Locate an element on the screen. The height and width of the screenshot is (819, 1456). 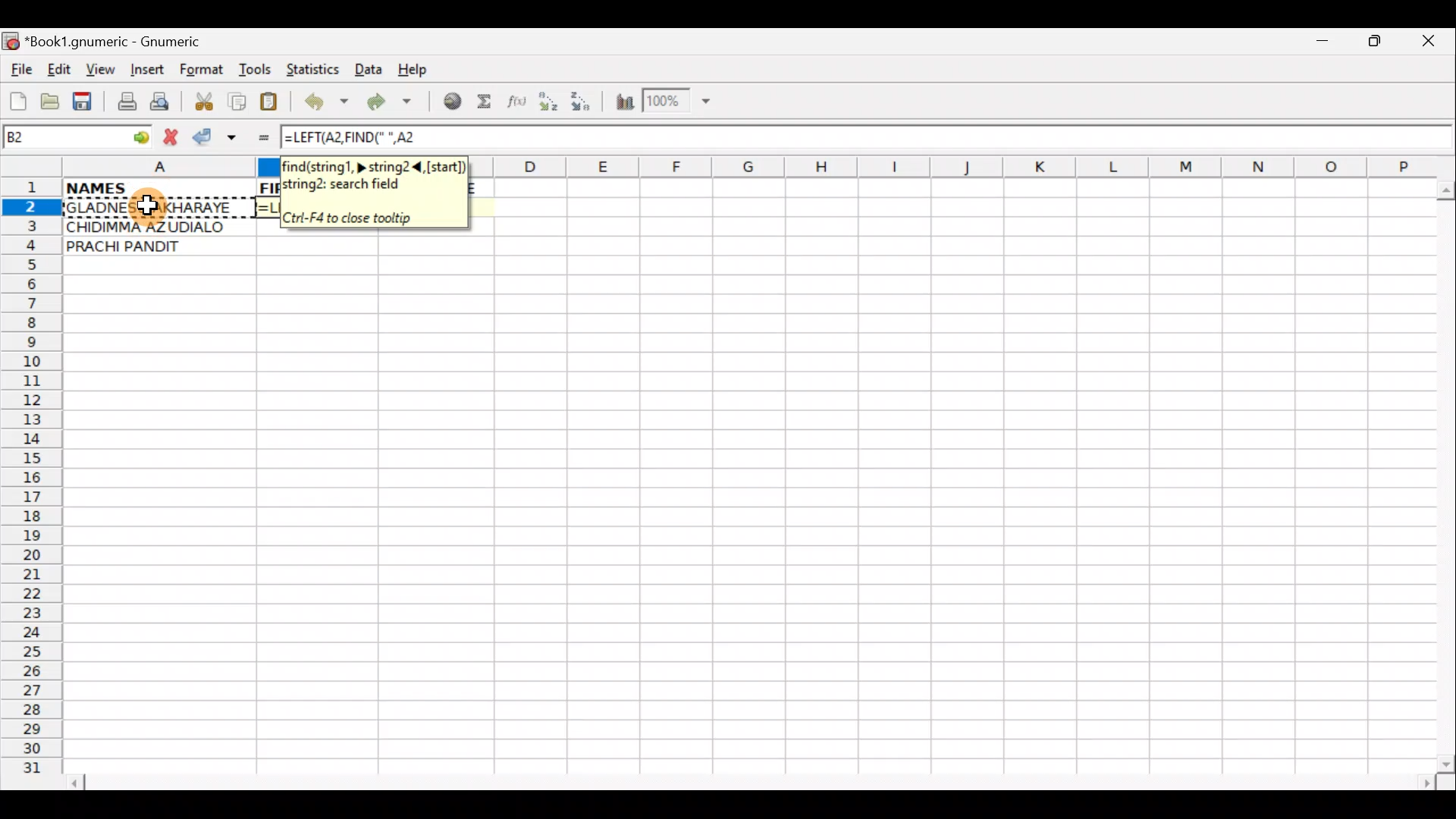
Print preview is located at coordinates (160, 105).